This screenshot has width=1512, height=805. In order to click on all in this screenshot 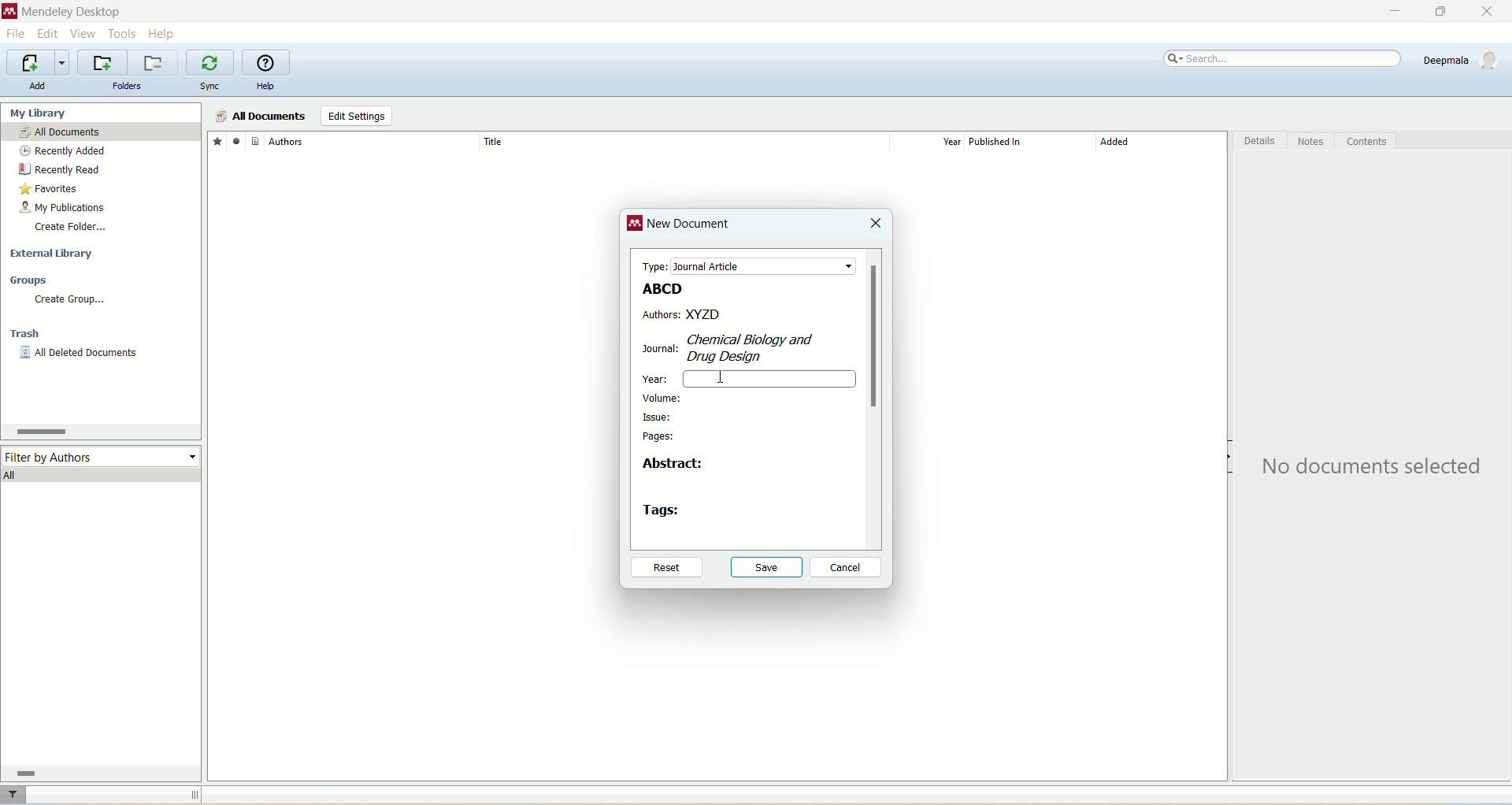, I will do `click(102, 474)`.